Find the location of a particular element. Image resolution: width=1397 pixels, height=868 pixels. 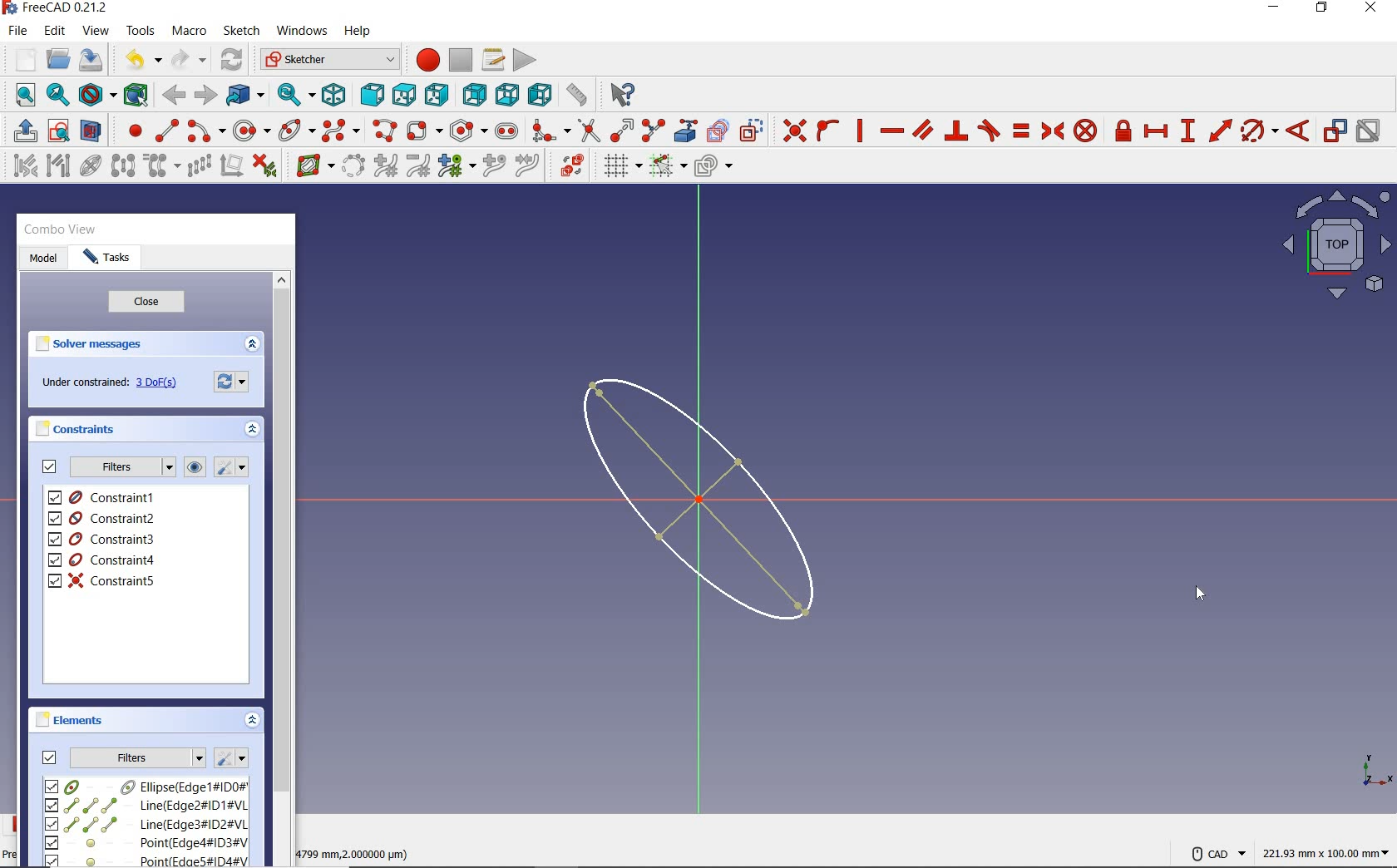

constraint5 is located at coordinates (102, 580).